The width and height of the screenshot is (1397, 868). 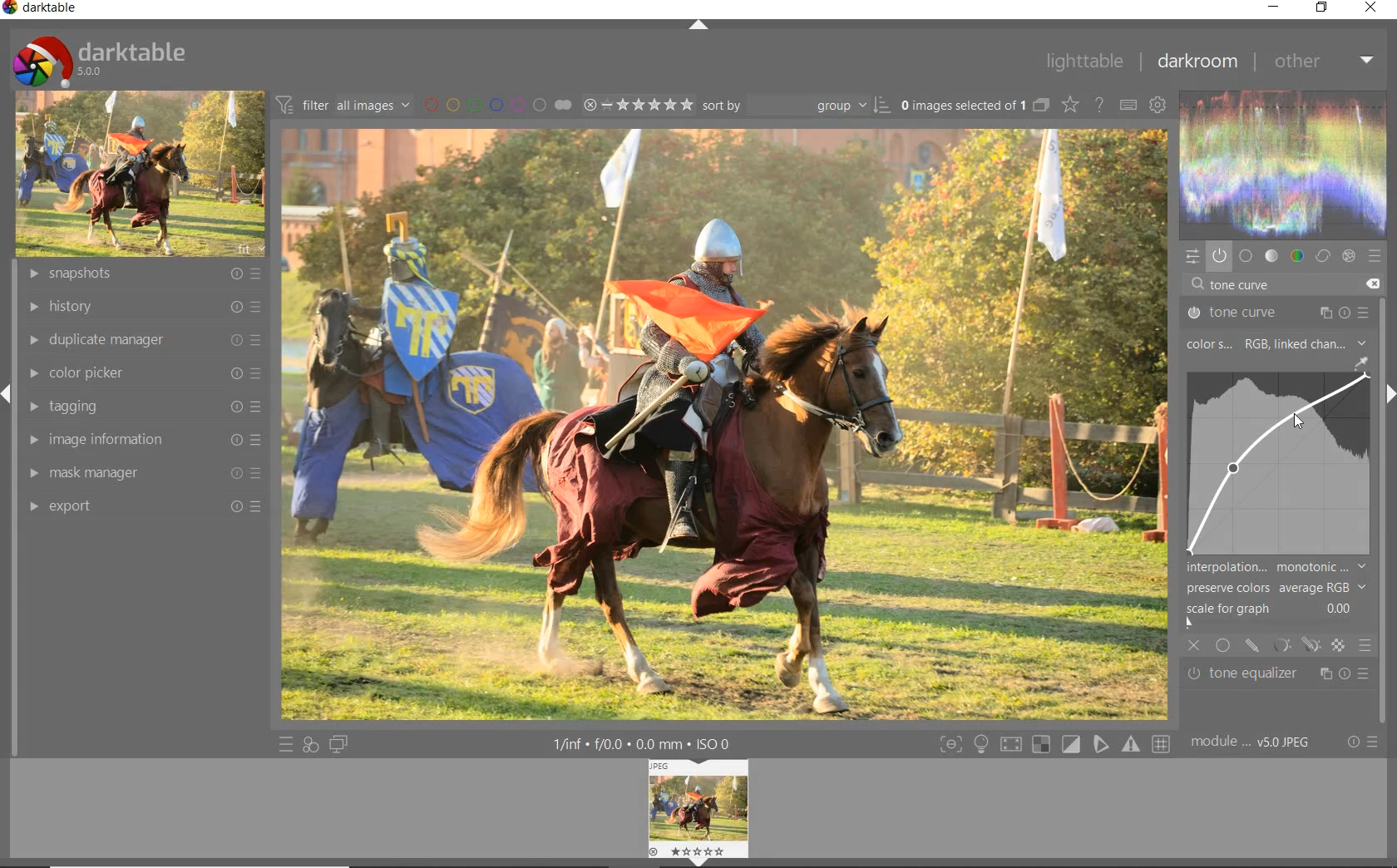 I want to click on Sort, so click(x=796, y=105).